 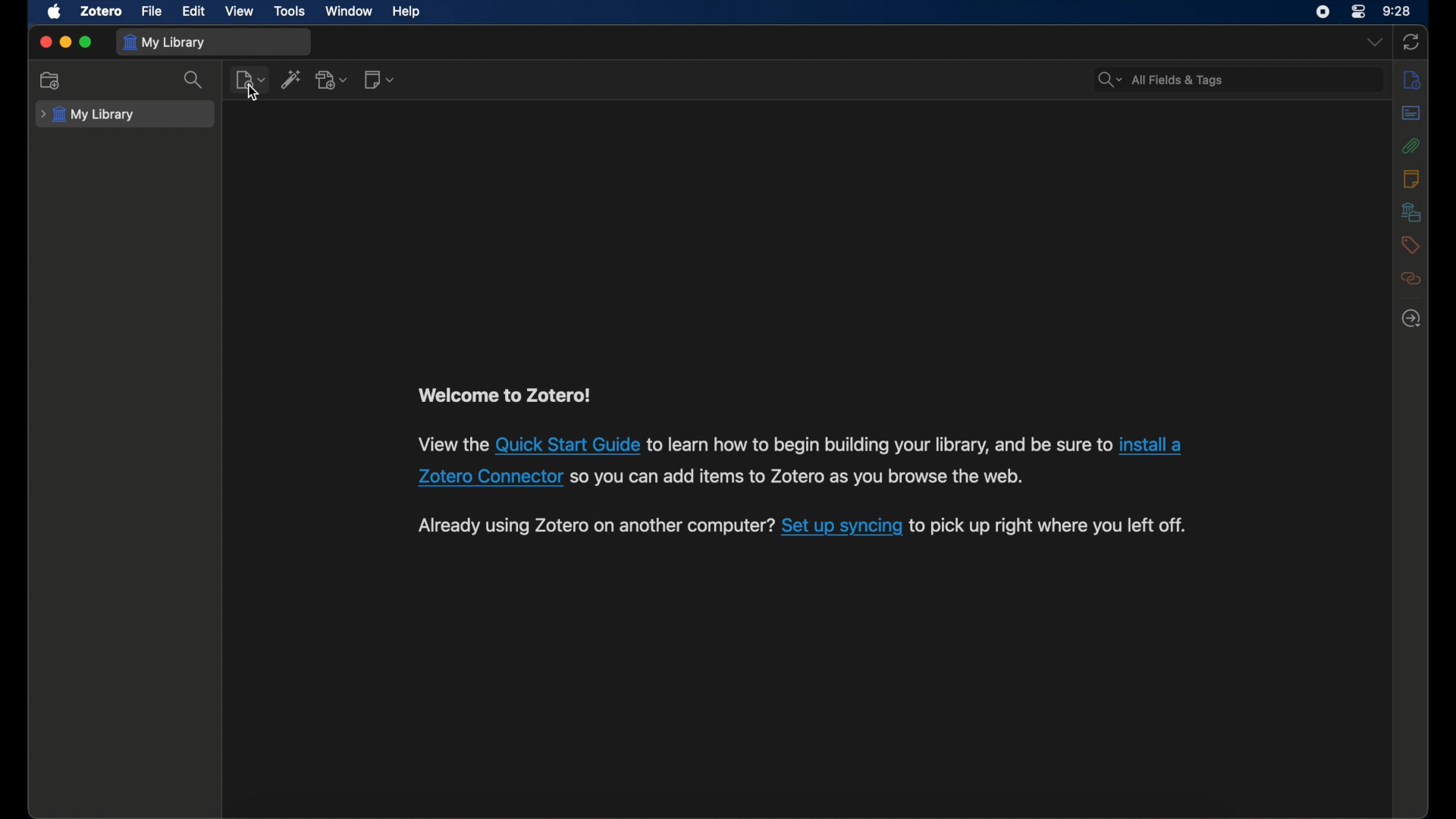 I want to click on libraries, so click(x=1410, y=212).